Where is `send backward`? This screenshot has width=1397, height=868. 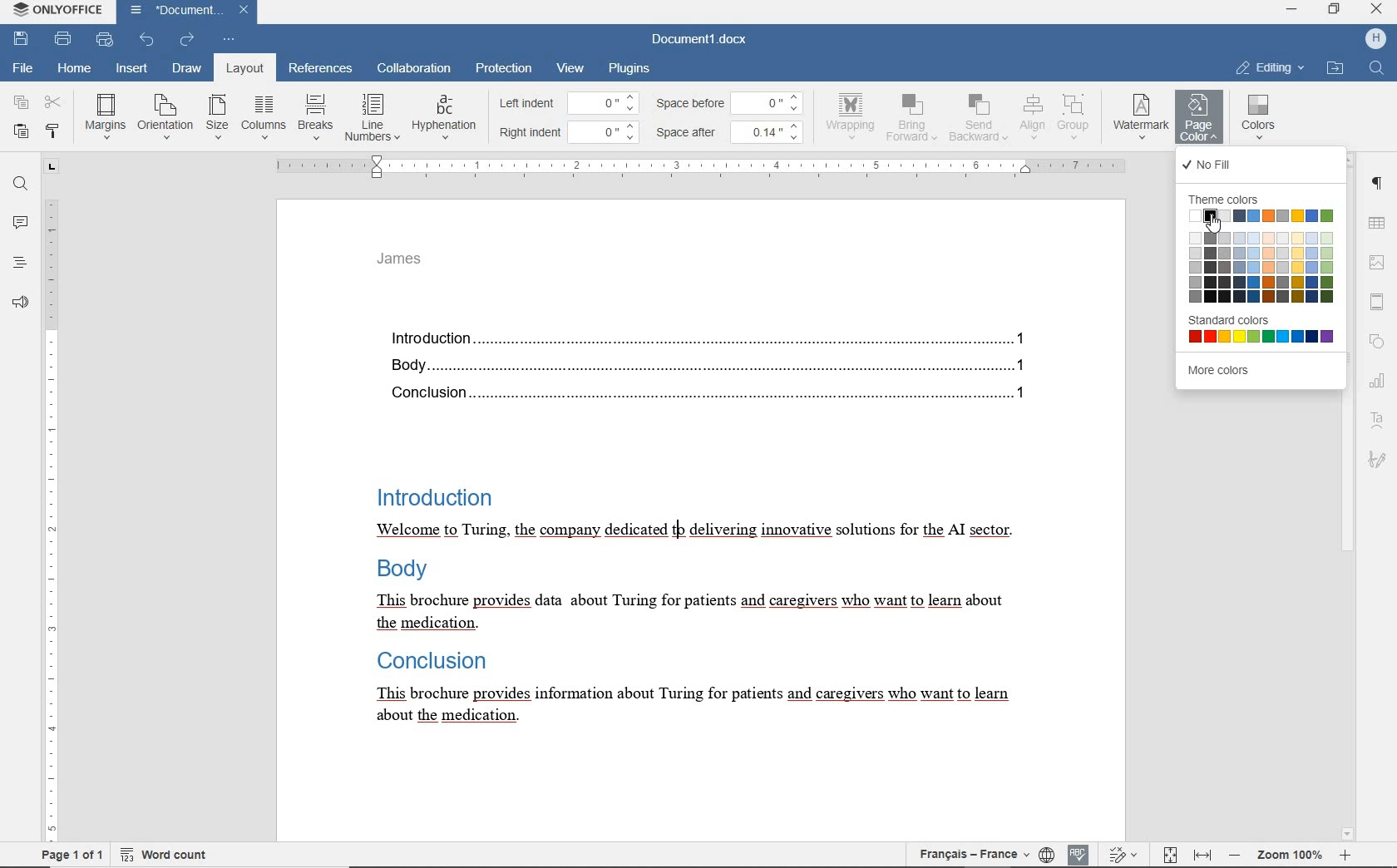 send backward is located at coordinates (975, 120).